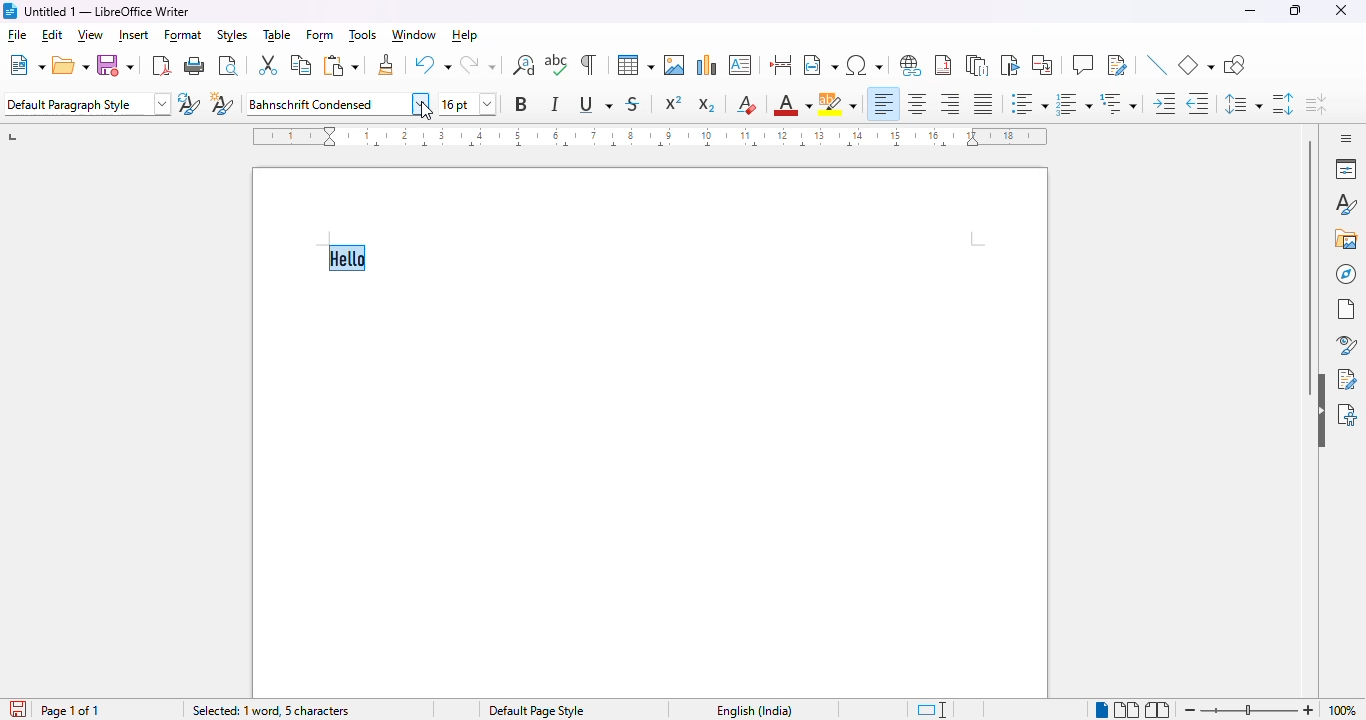  What do you see at coordinates (195, 66) in the screenshot?
I see `print` at bounding box center [195, 66].